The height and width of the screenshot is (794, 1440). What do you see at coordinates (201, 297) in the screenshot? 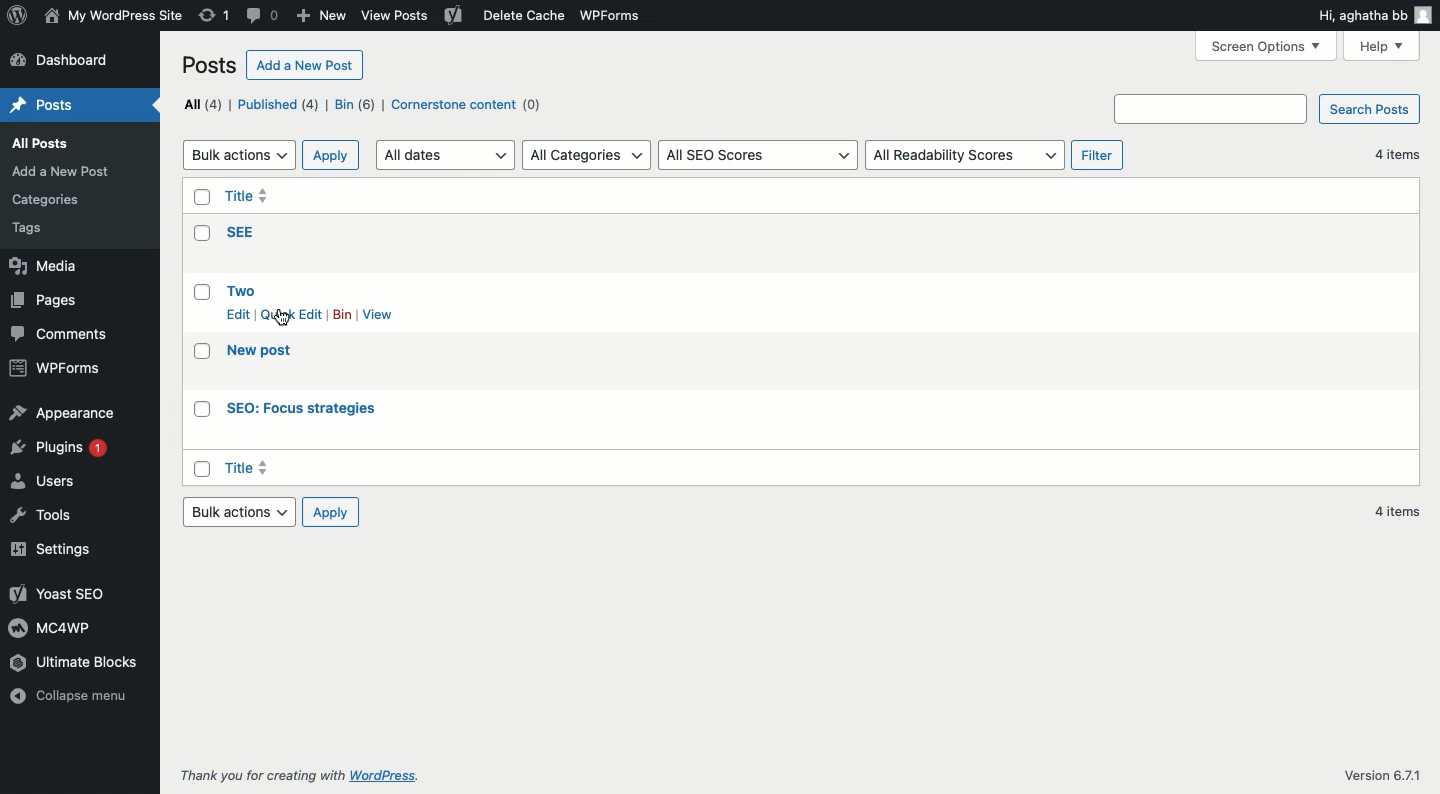
I see `Checkbox` at bounding box center [201, 297].